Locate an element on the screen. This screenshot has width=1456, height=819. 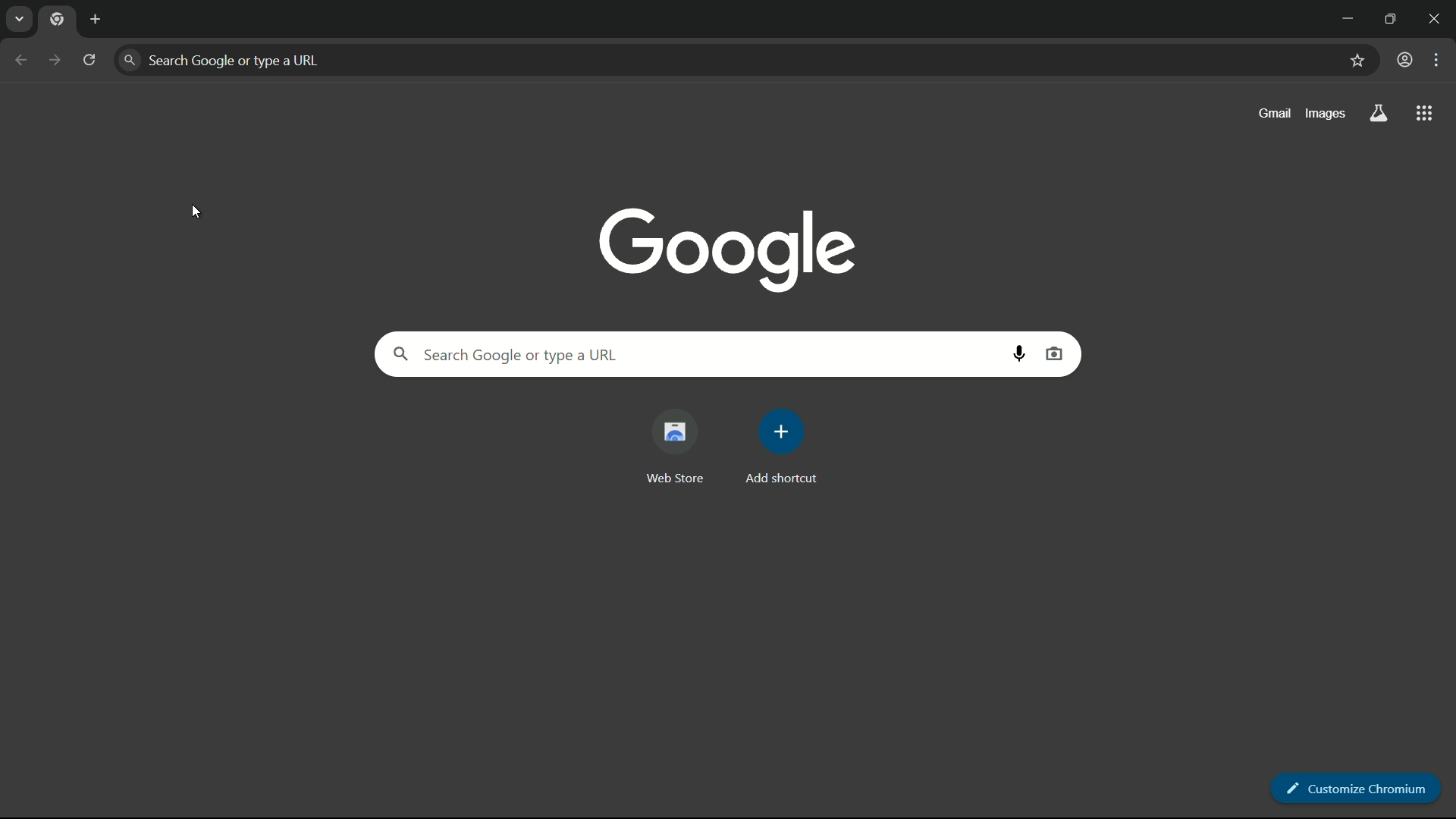
search by image is located at coordinates (1054, 354).